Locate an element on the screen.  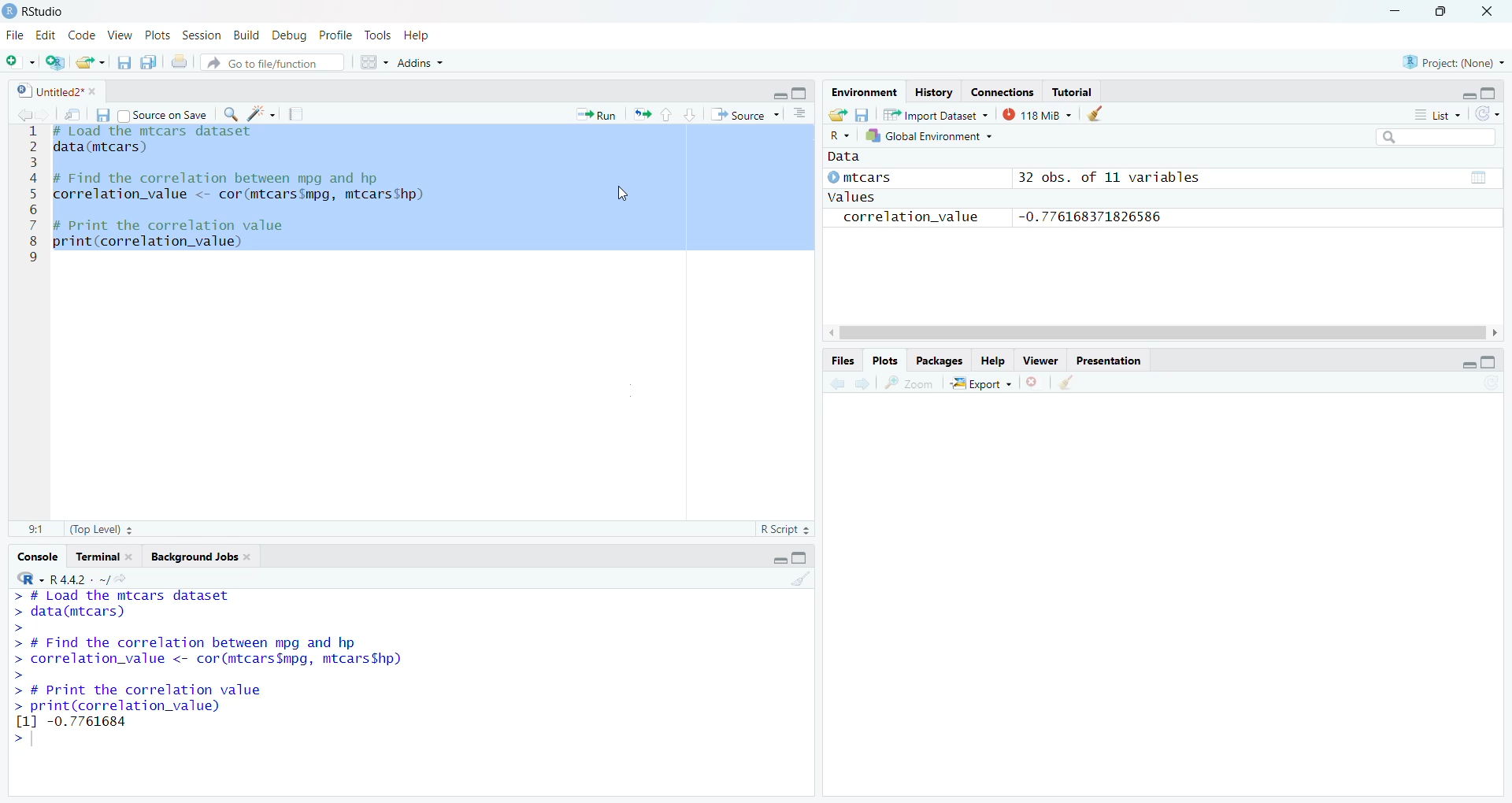
Find/Replace is located at coordinates (231, 113).